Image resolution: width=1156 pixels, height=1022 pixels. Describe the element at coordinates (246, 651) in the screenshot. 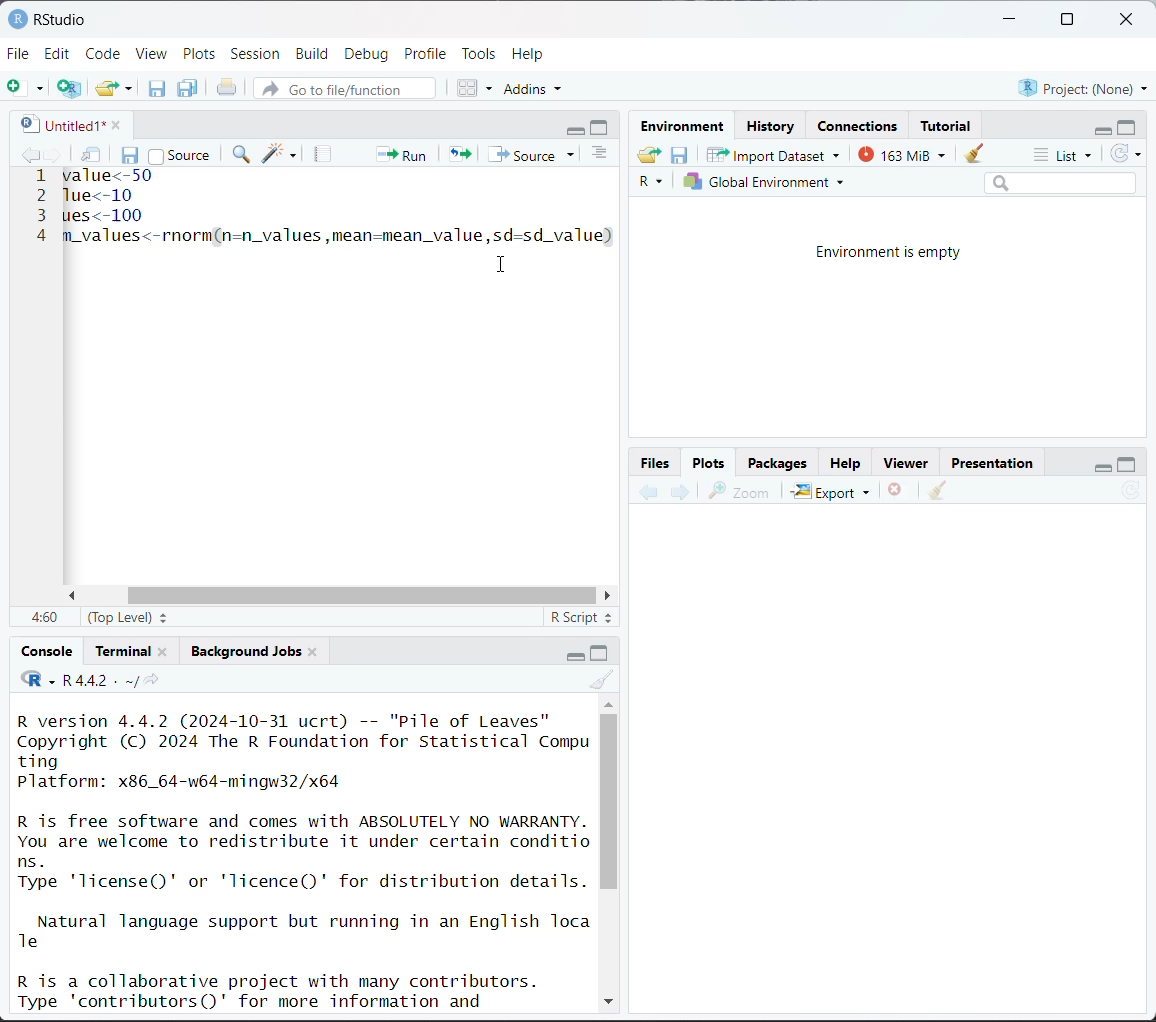

I see `Background jobs` at that location.